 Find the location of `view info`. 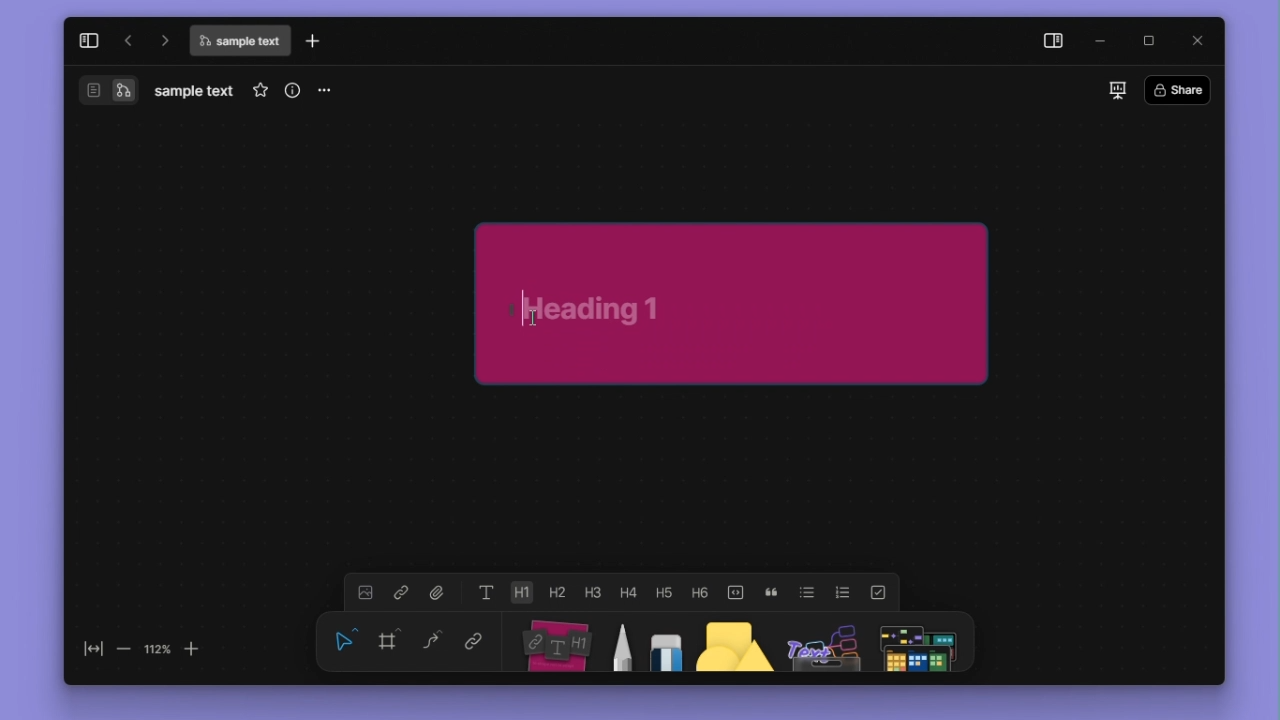

view info is located at coordinates (293, 90).